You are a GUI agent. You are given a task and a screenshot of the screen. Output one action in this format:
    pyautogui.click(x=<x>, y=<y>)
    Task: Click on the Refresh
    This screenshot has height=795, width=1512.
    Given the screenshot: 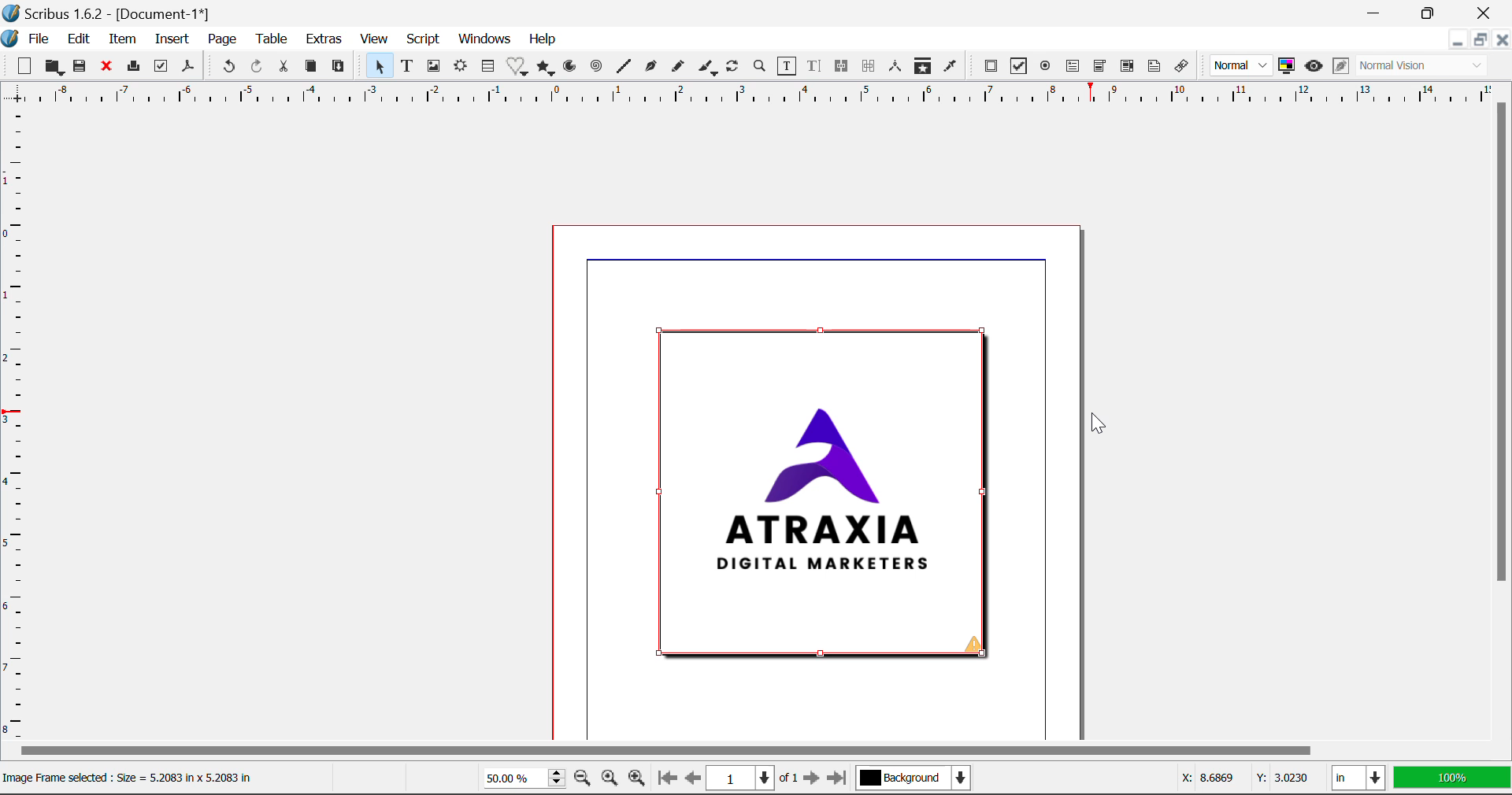 What is the action you would take?
    pyautogui.click(x=733, y=67)
    